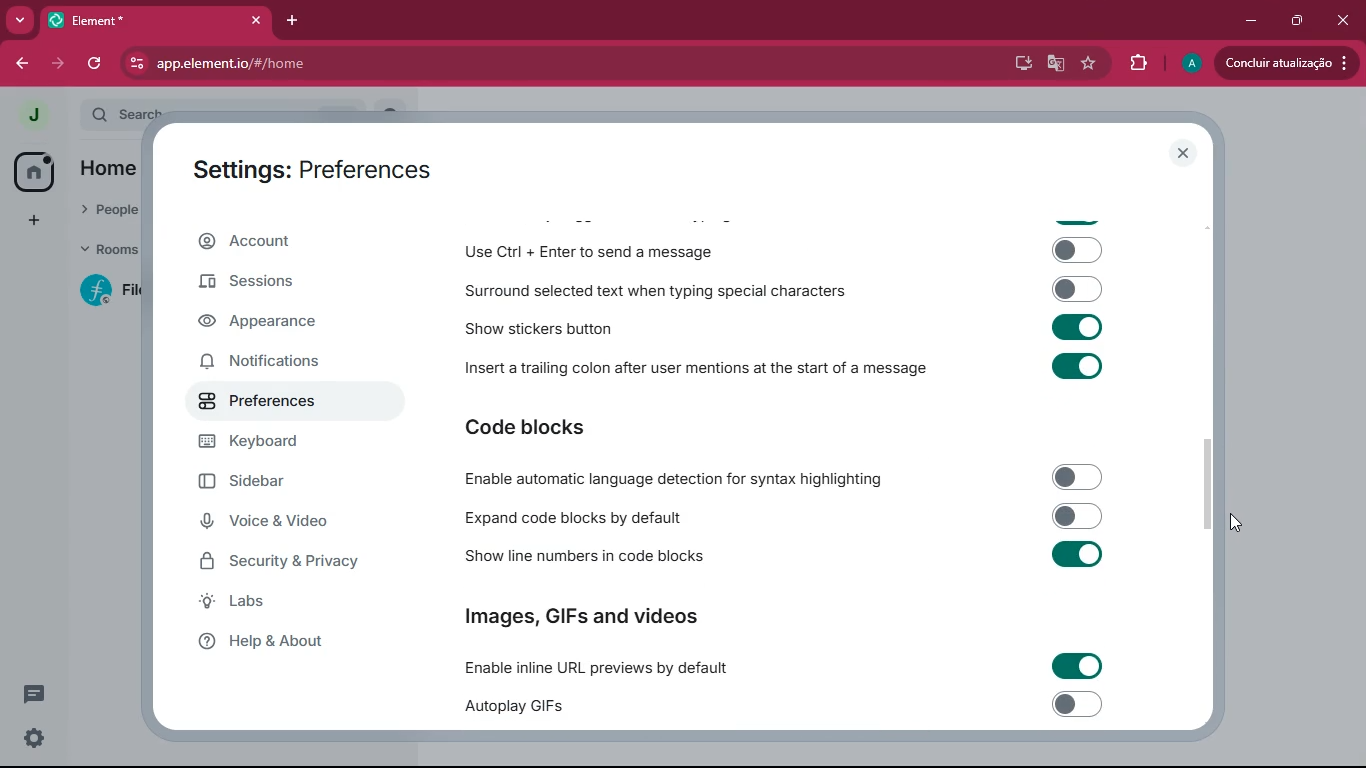 The width and height of the screenshot is (1366, 768). Describe the element at coordinates (1205, 483) in the screenshot. I see `scroll bar ` at that location.